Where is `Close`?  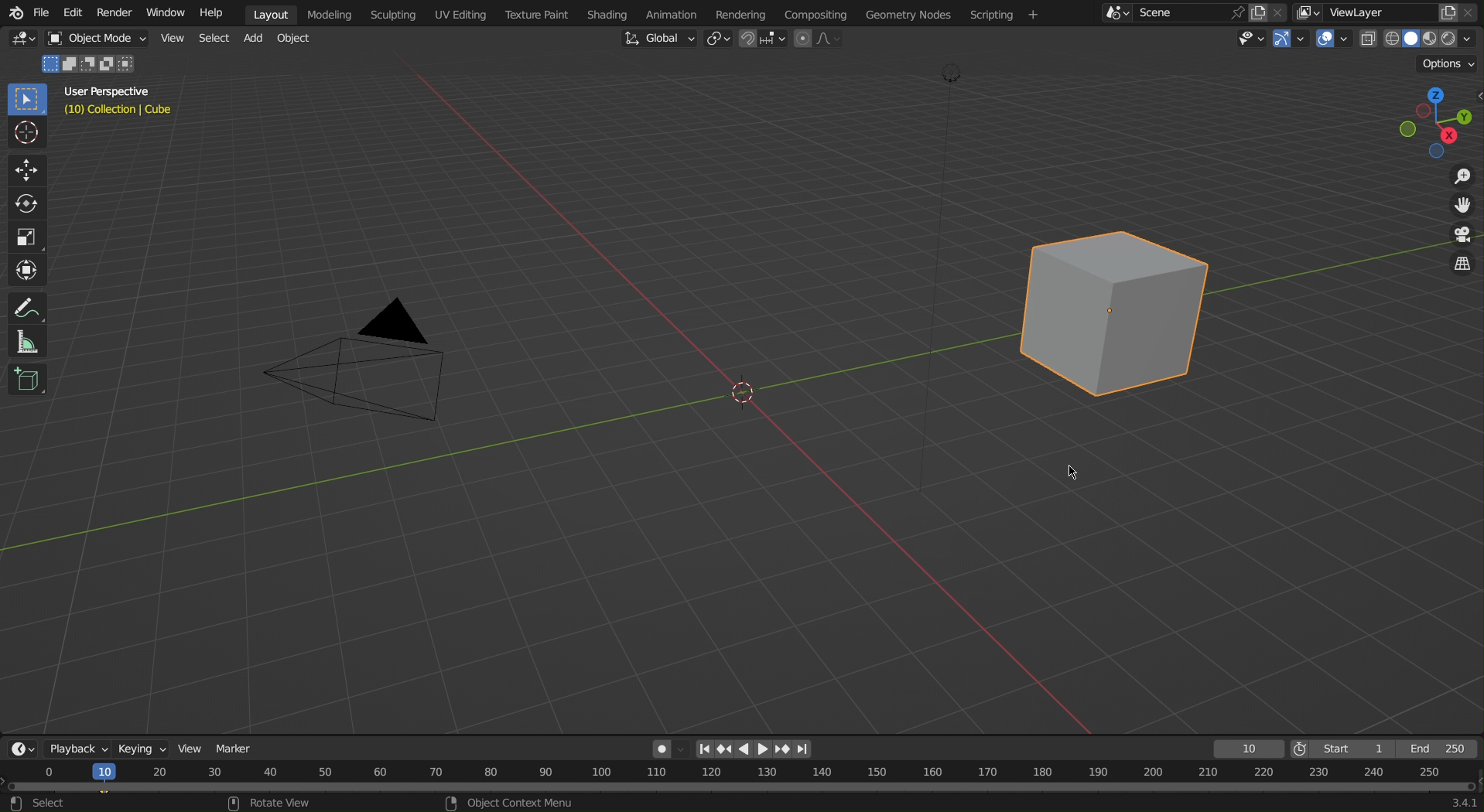 Close is located at coordinates (1473, 12).